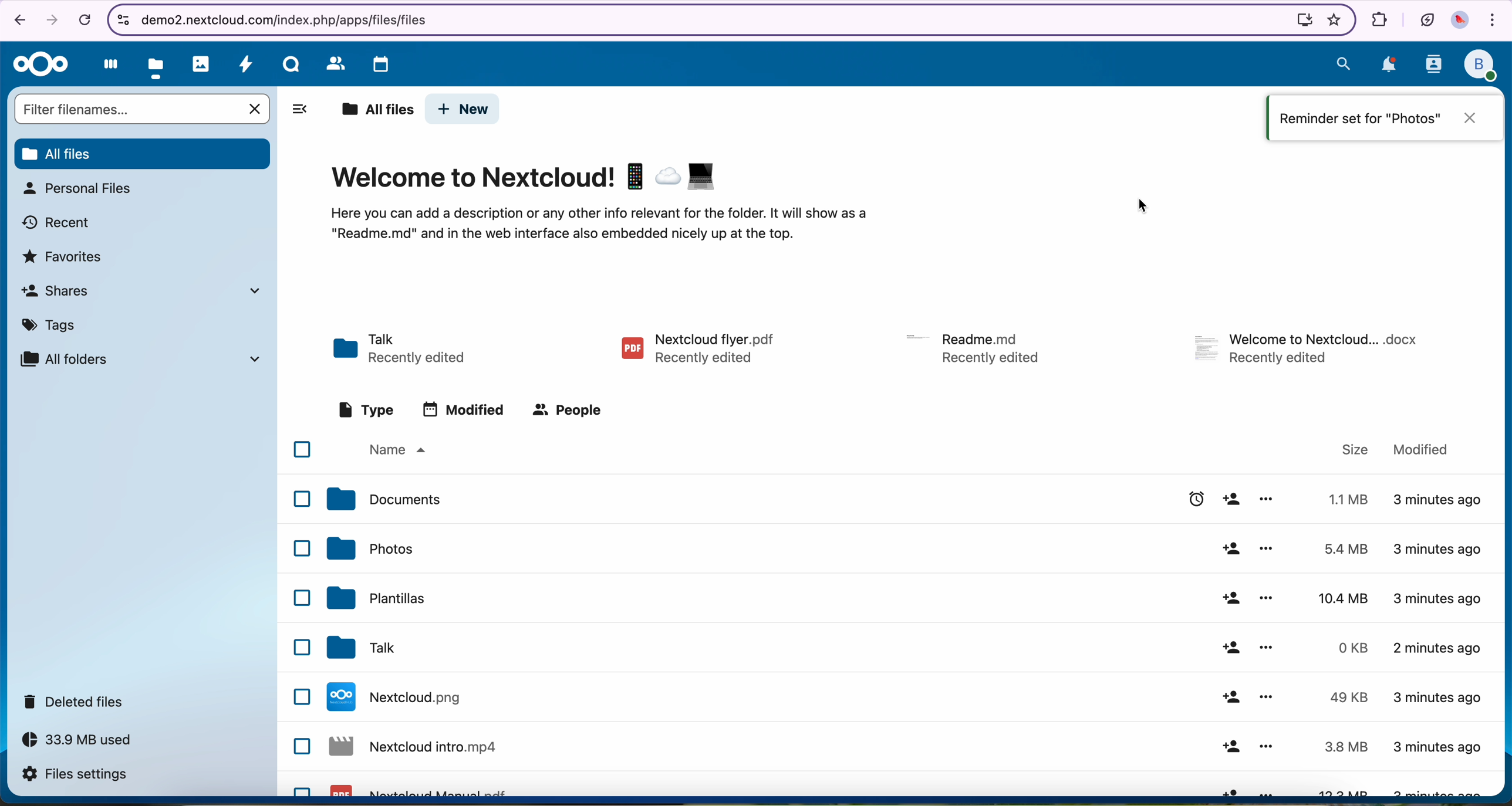  I want to click on battery in eco mode, so click(1426, 18).